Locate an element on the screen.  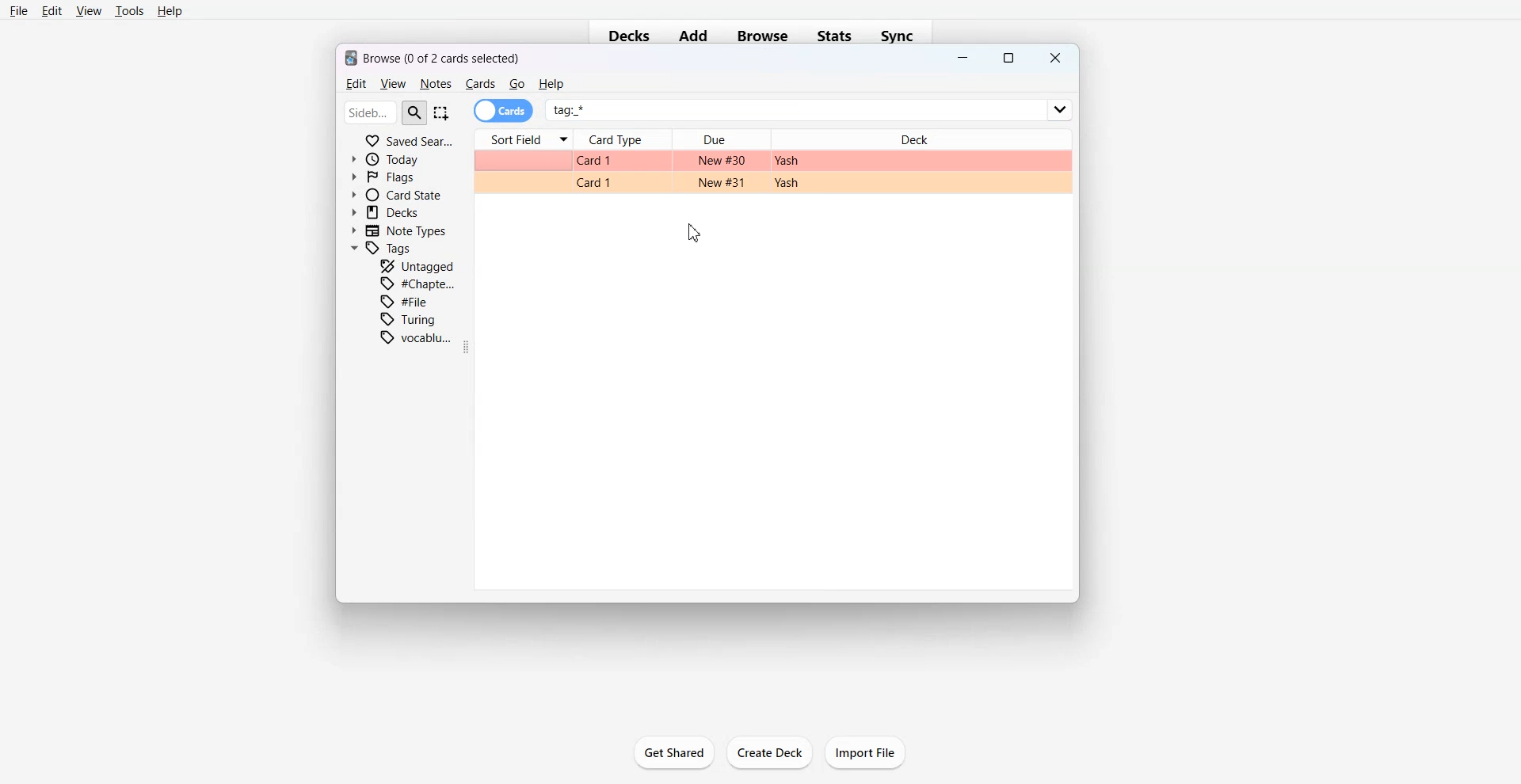
Notes is located at coordinates (435, 84).